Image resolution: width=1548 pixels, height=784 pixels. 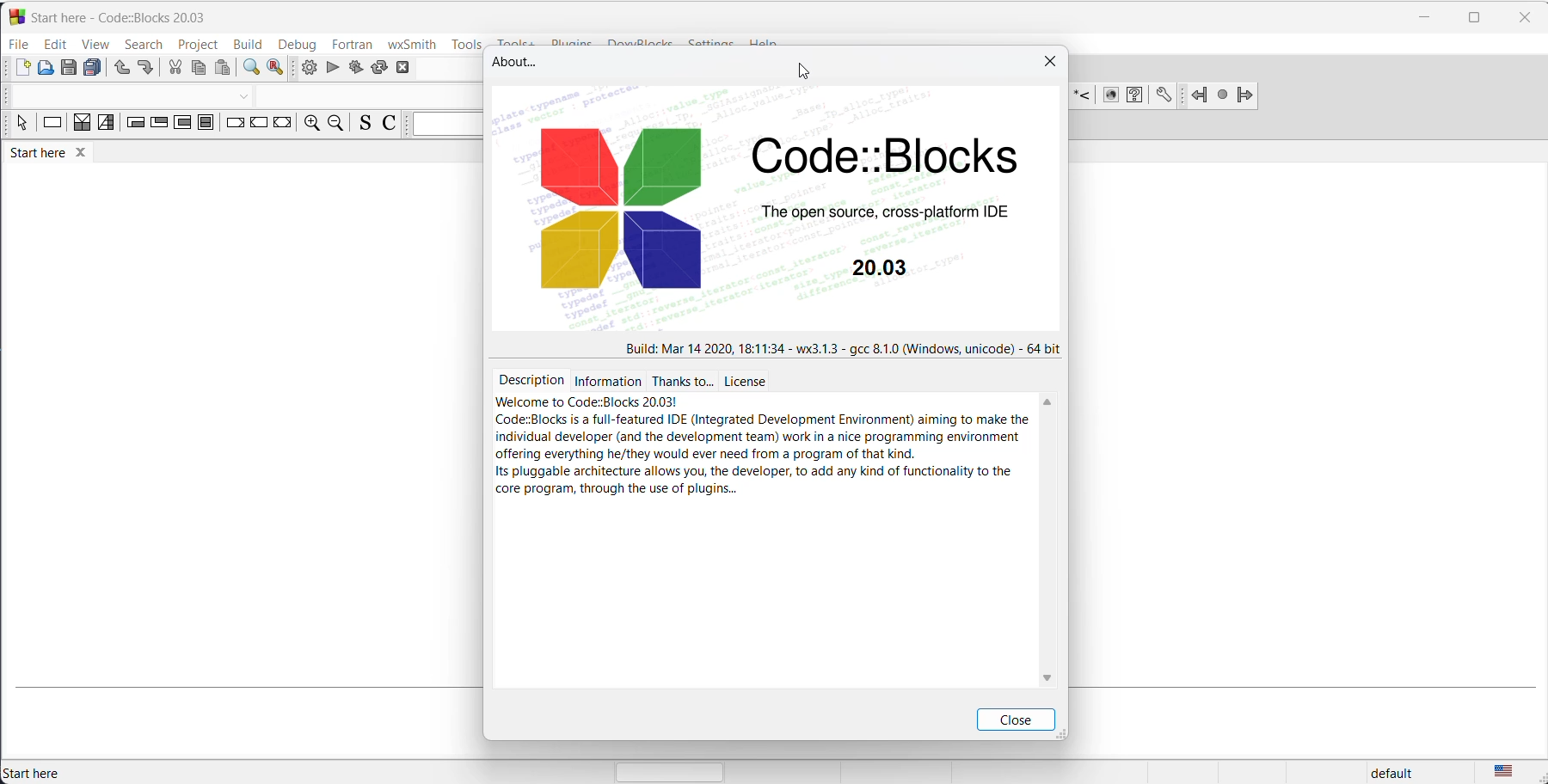 I want to click on description, so click(x=761, y=435).